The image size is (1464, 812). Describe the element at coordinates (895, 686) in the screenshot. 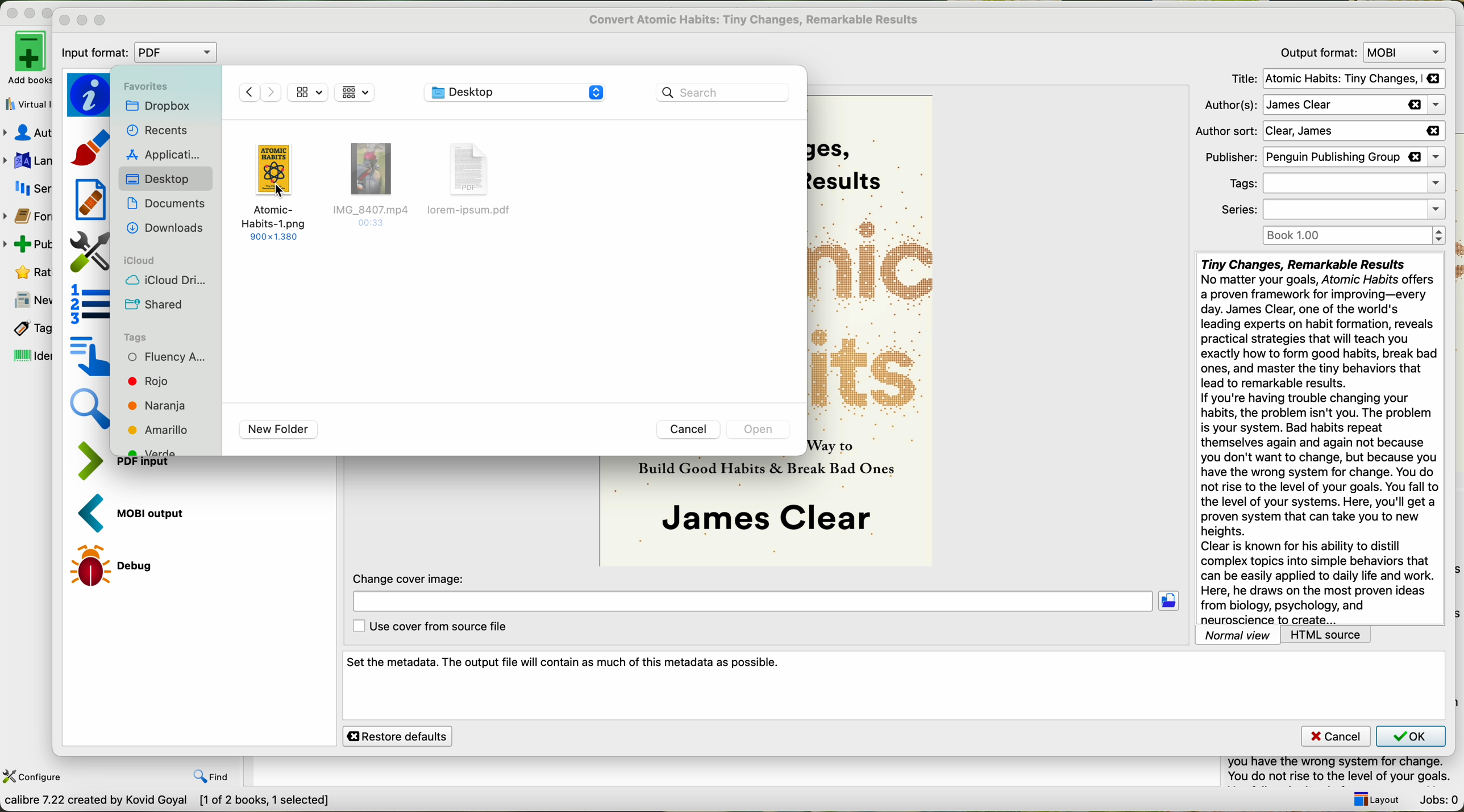

I see `set the metadata` at that location.